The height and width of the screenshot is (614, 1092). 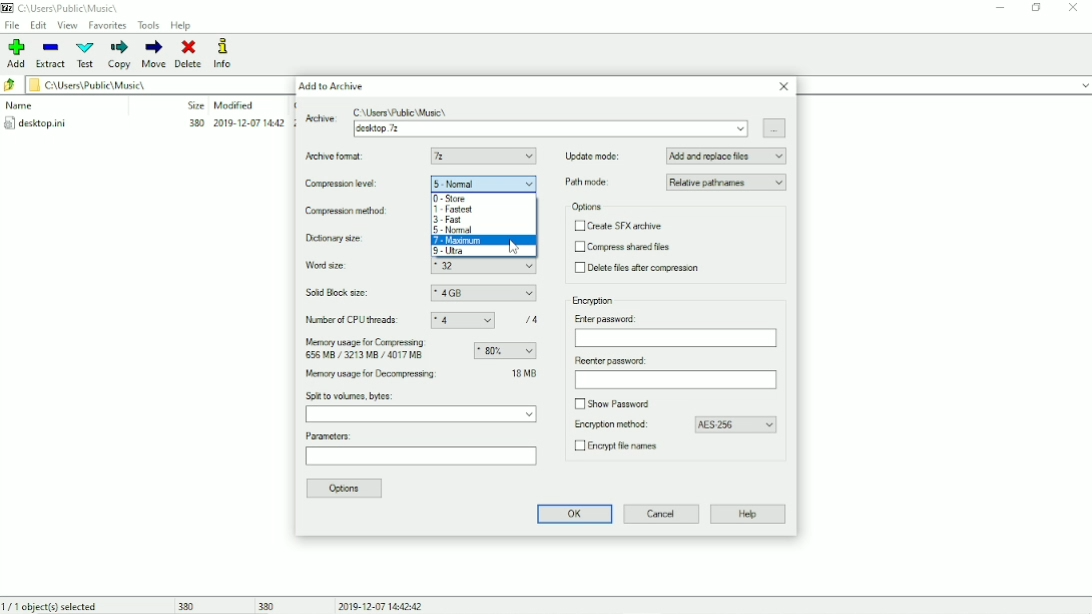 What do you see at coordinates (505, 351) in the screenshot?
I see `Memory usage for compressing` at bounding box center [505, 351].